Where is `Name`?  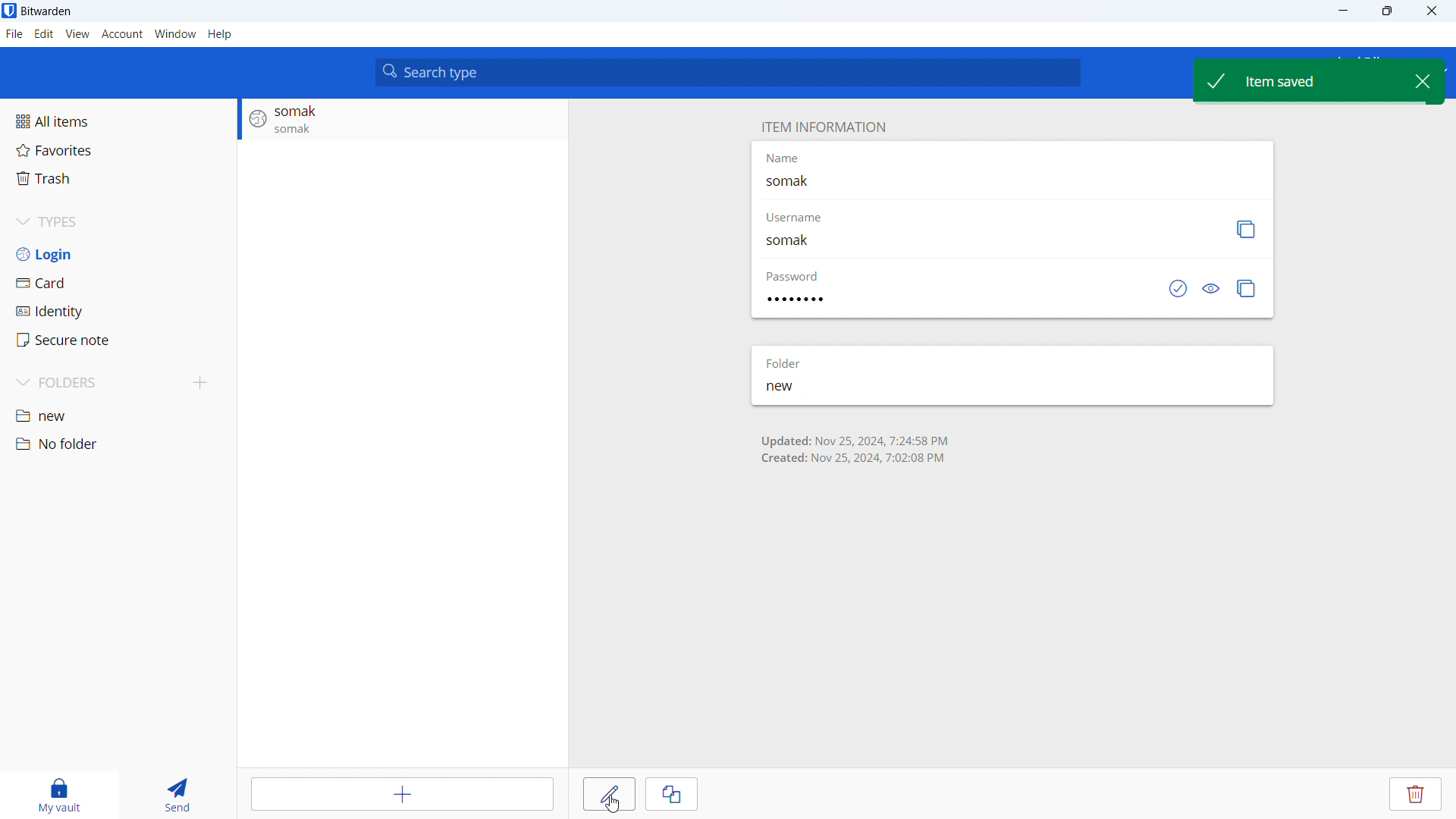 Name is located at coordinates (782, 158).